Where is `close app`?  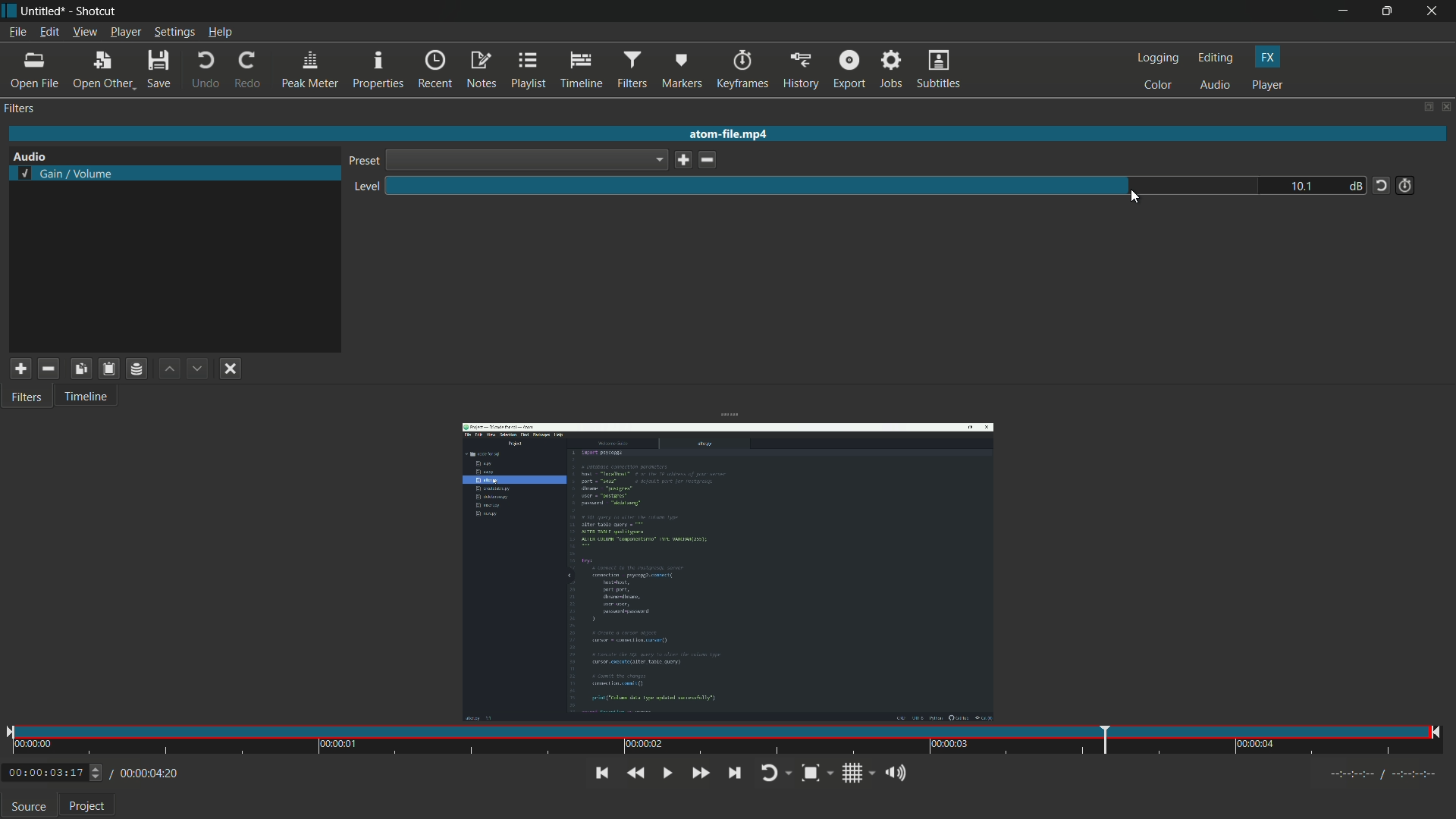
close app is located at coordinates (1435, 11).